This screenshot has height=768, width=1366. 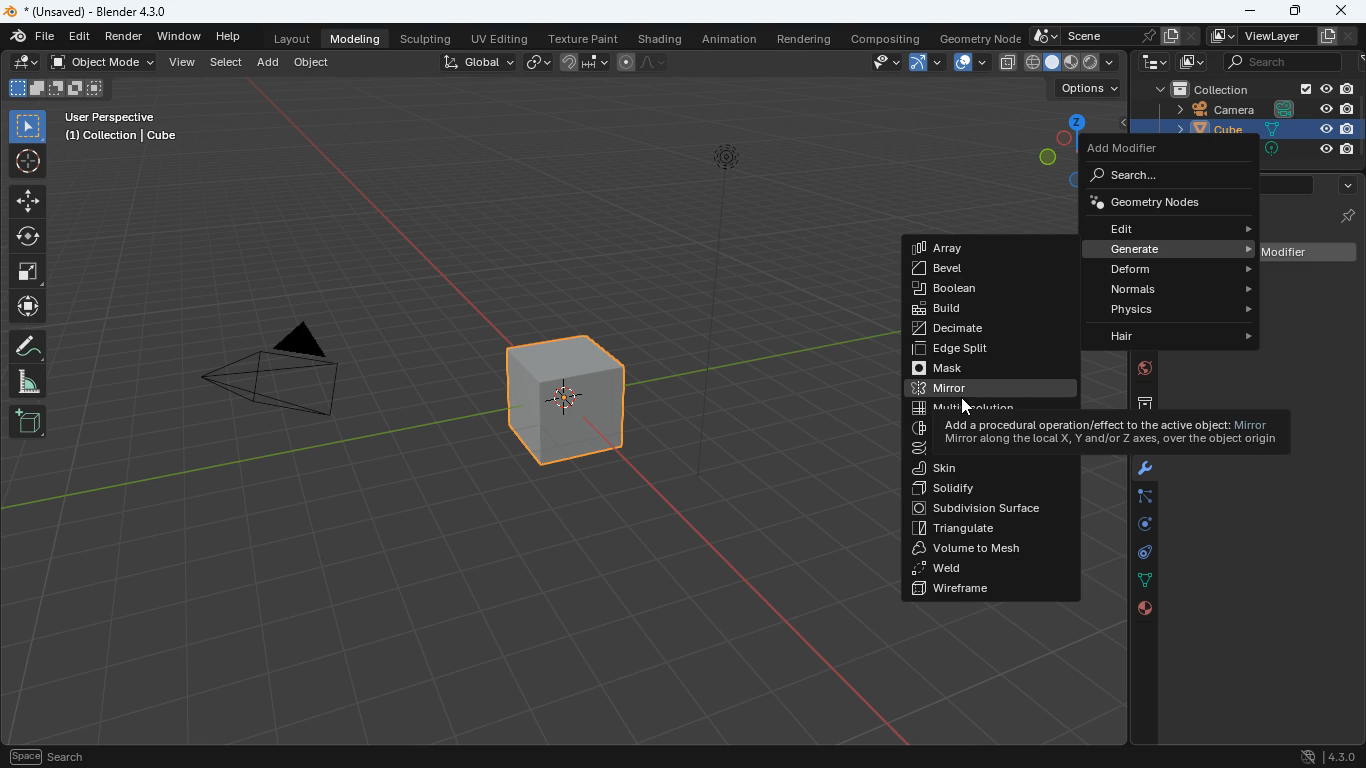 What do you see at coordinates (585, 62) in the screenshot?
I see `join` at bounding box center [585, 62].